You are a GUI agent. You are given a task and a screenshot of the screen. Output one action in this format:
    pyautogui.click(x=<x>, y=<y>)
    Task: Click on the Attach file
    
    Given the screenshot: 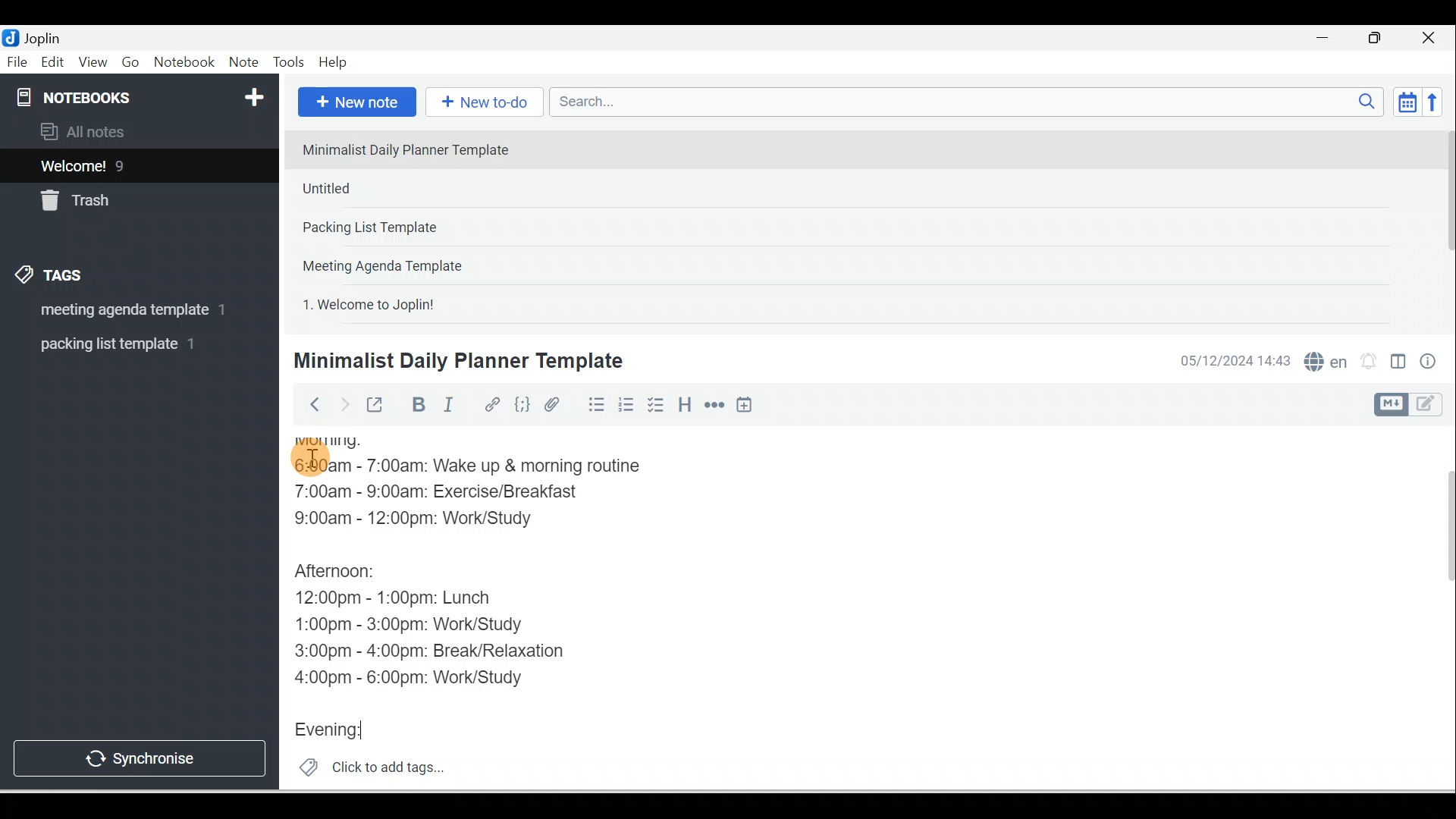 What is the action you would take?
    pyautogui.click(x=556, y=404)
    